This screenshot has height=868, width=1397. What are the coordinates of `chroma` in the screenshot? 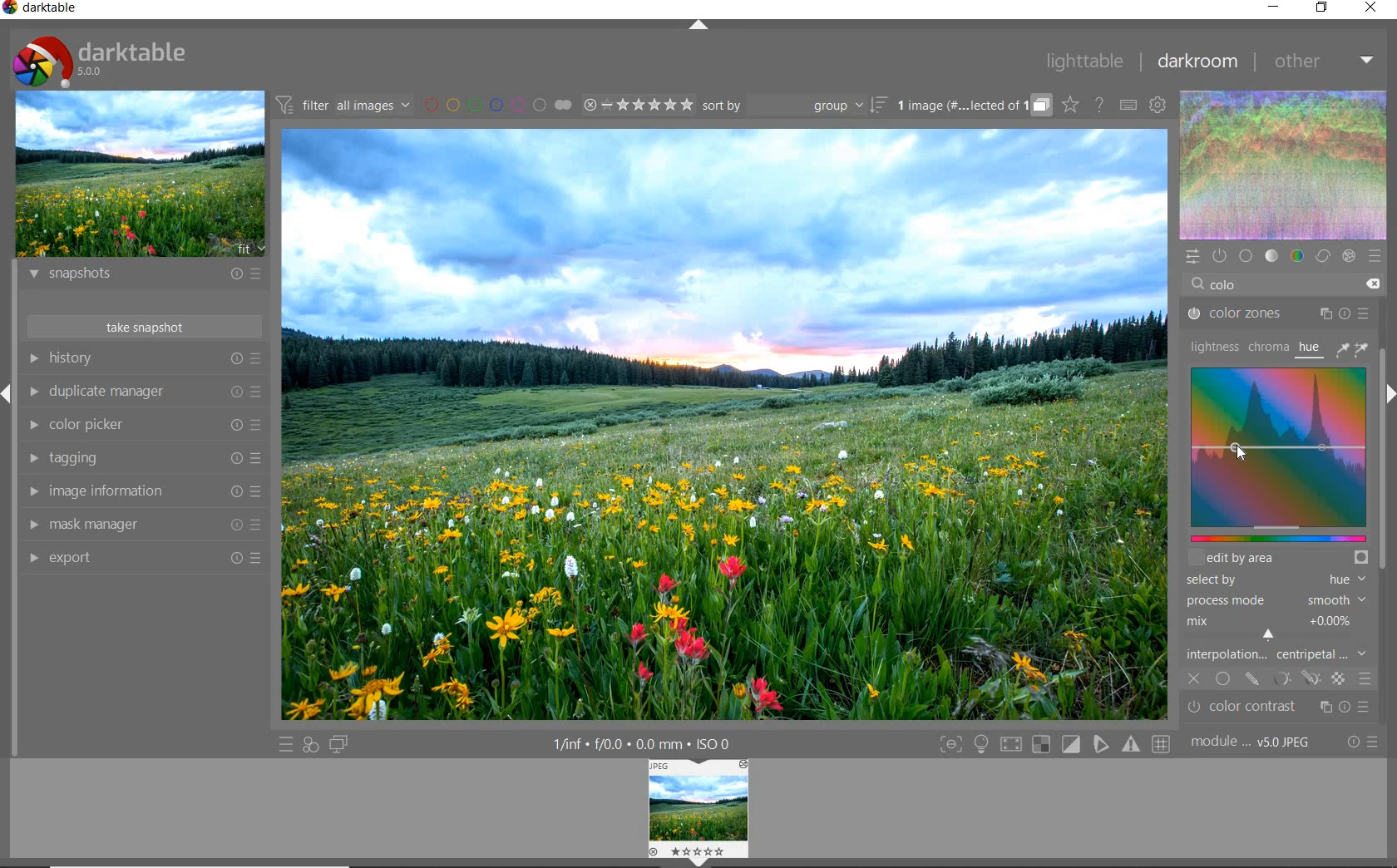 It's located at (1268, 347).